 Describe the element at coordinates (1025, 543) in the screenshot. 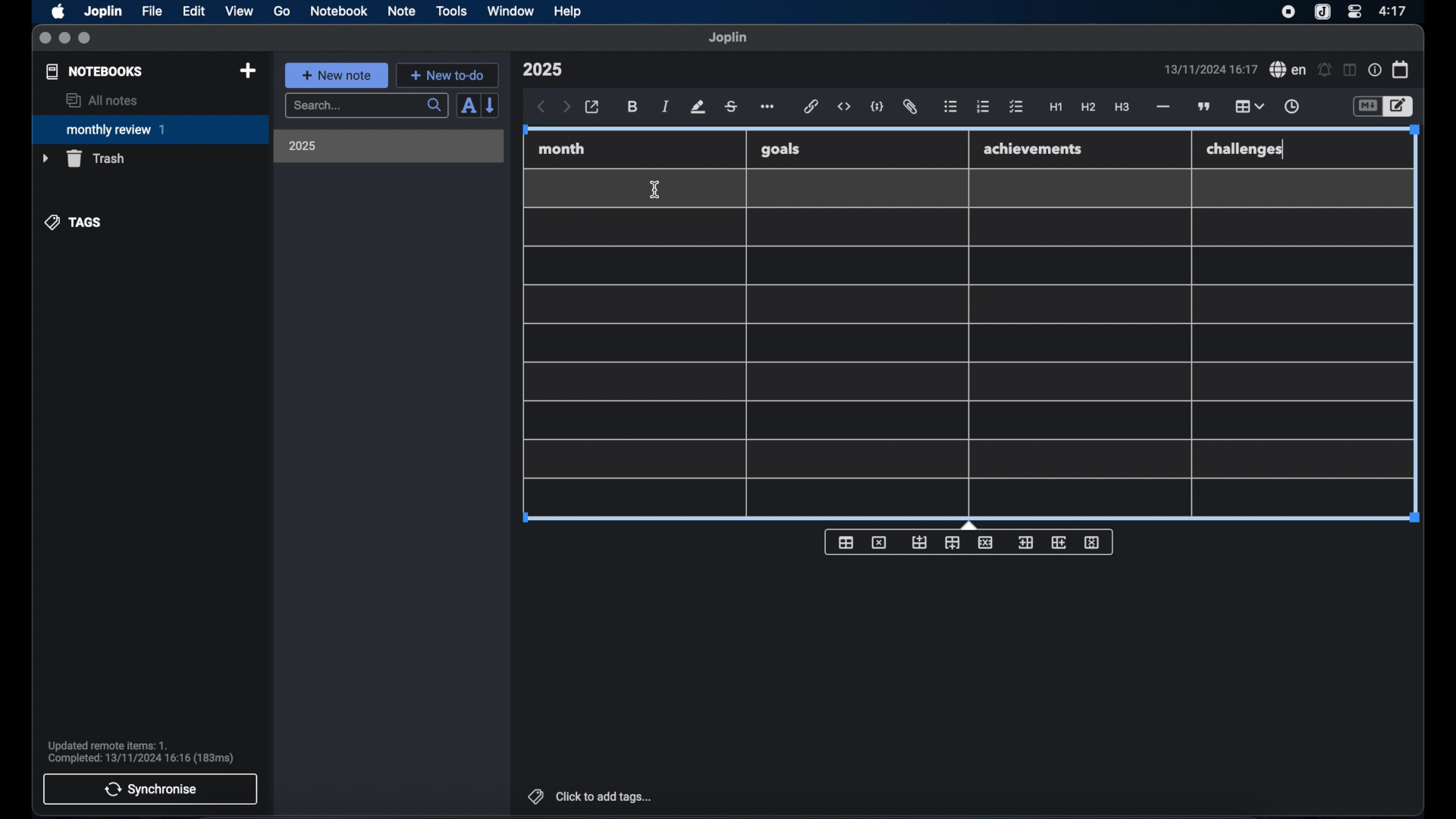

I see `insert column before` at that location.